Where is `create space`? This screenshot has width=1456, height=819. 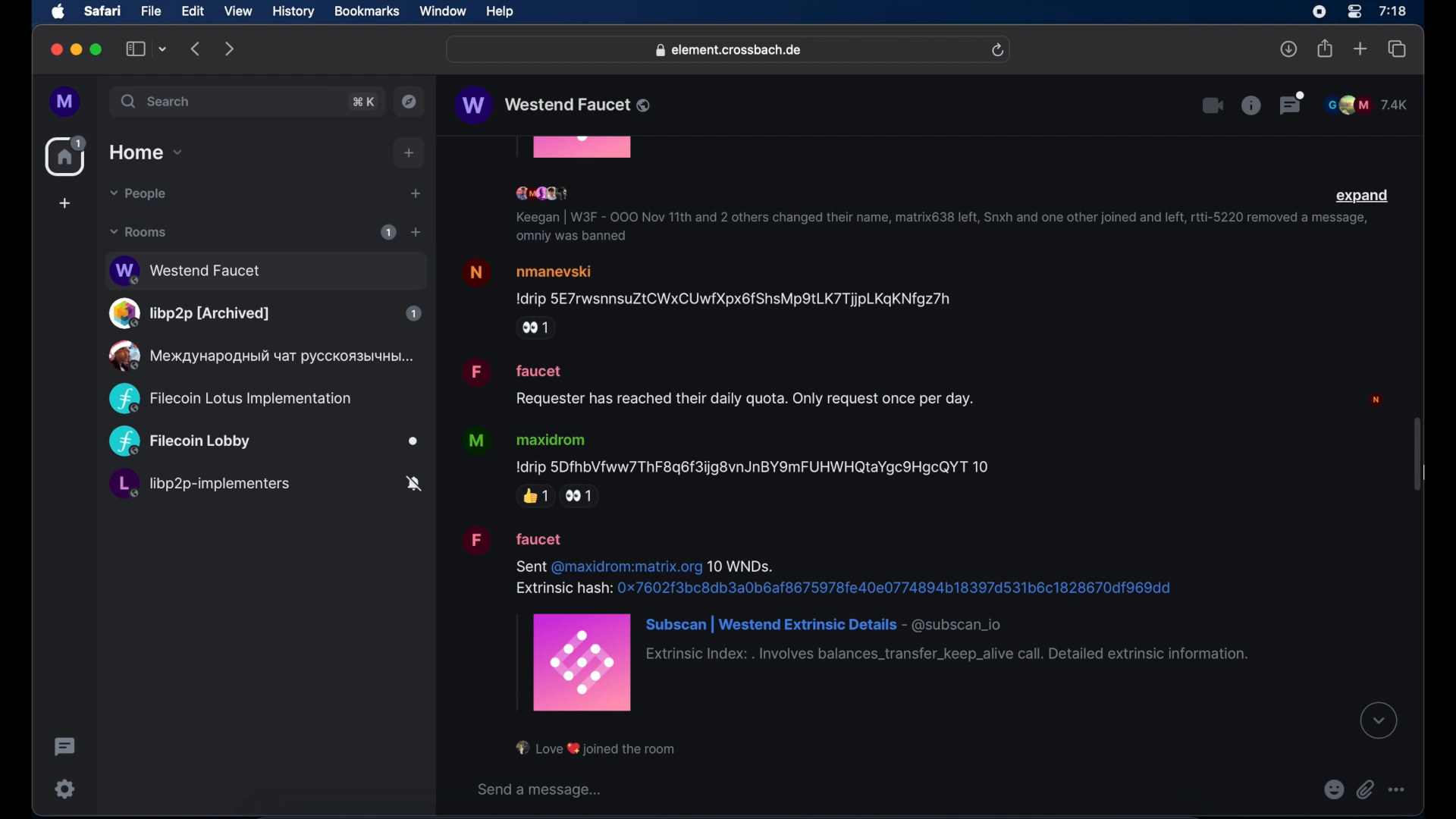
create space is located at coordinates (64, 203).